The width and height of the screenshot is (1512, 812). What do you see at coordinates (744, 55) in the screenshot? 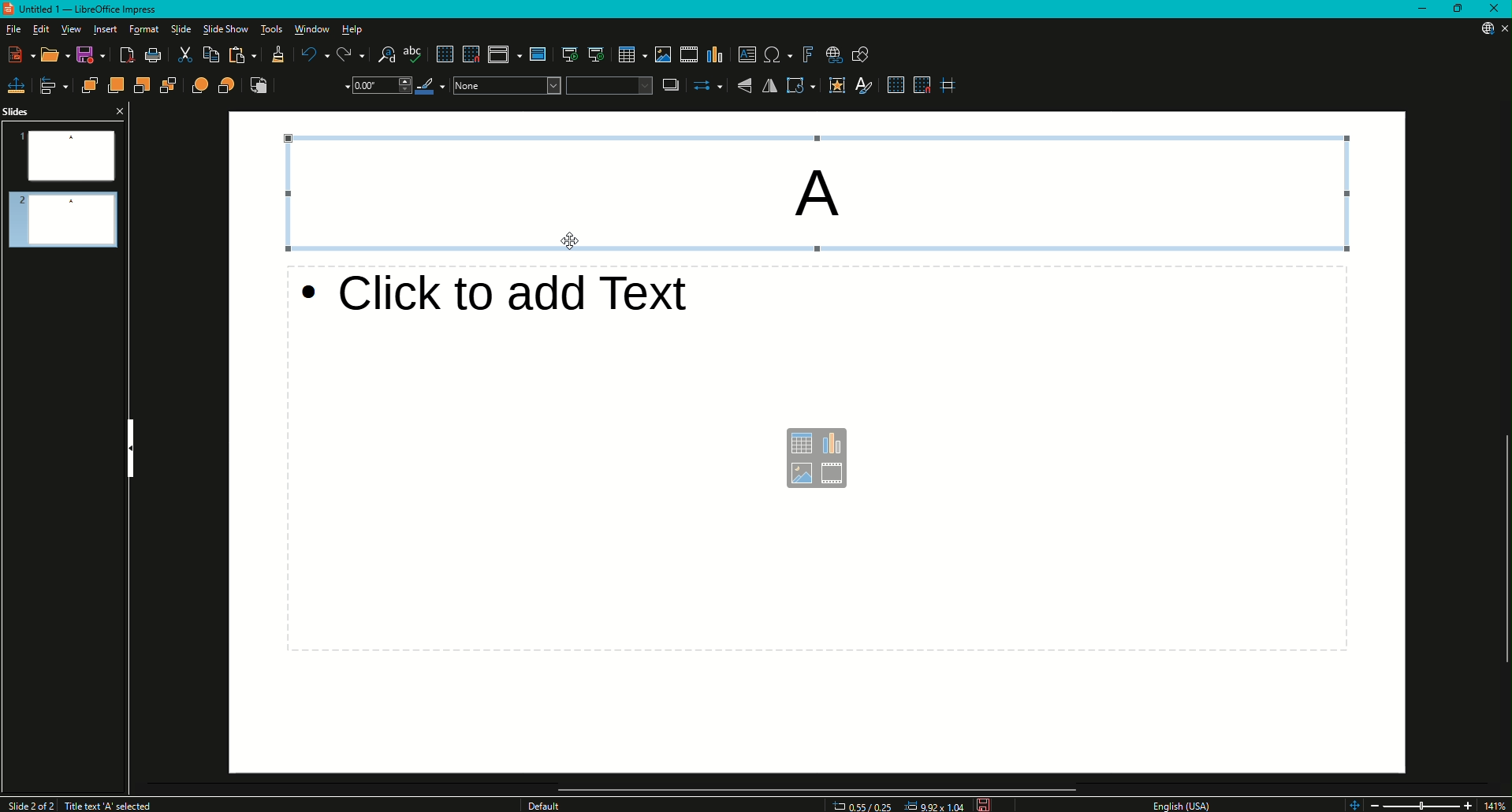
I see `Insert Textbox` at bounding box center [744, 55].